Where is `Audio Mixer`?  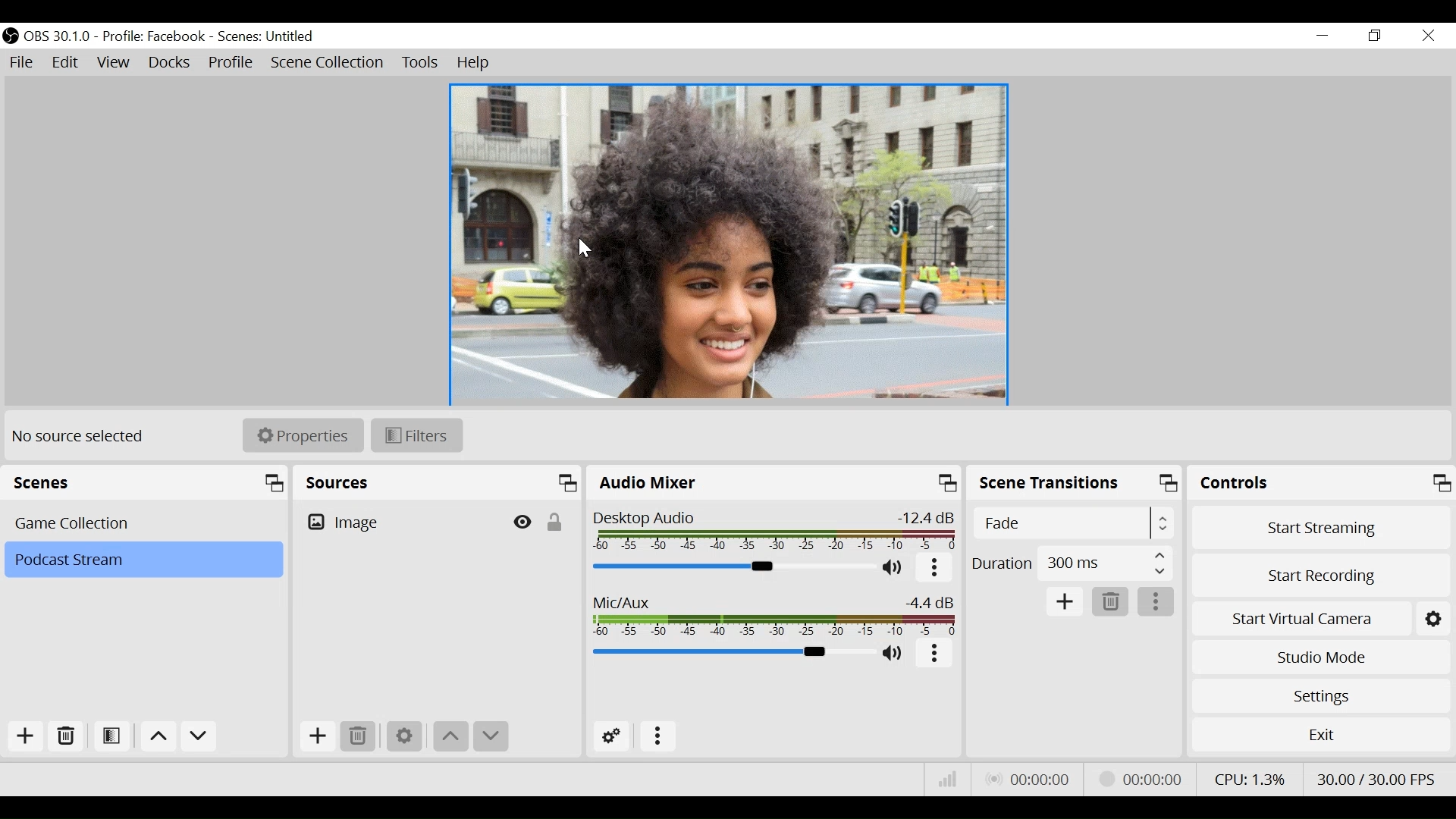 Audio Mixer is located at coordinates (775, 482).